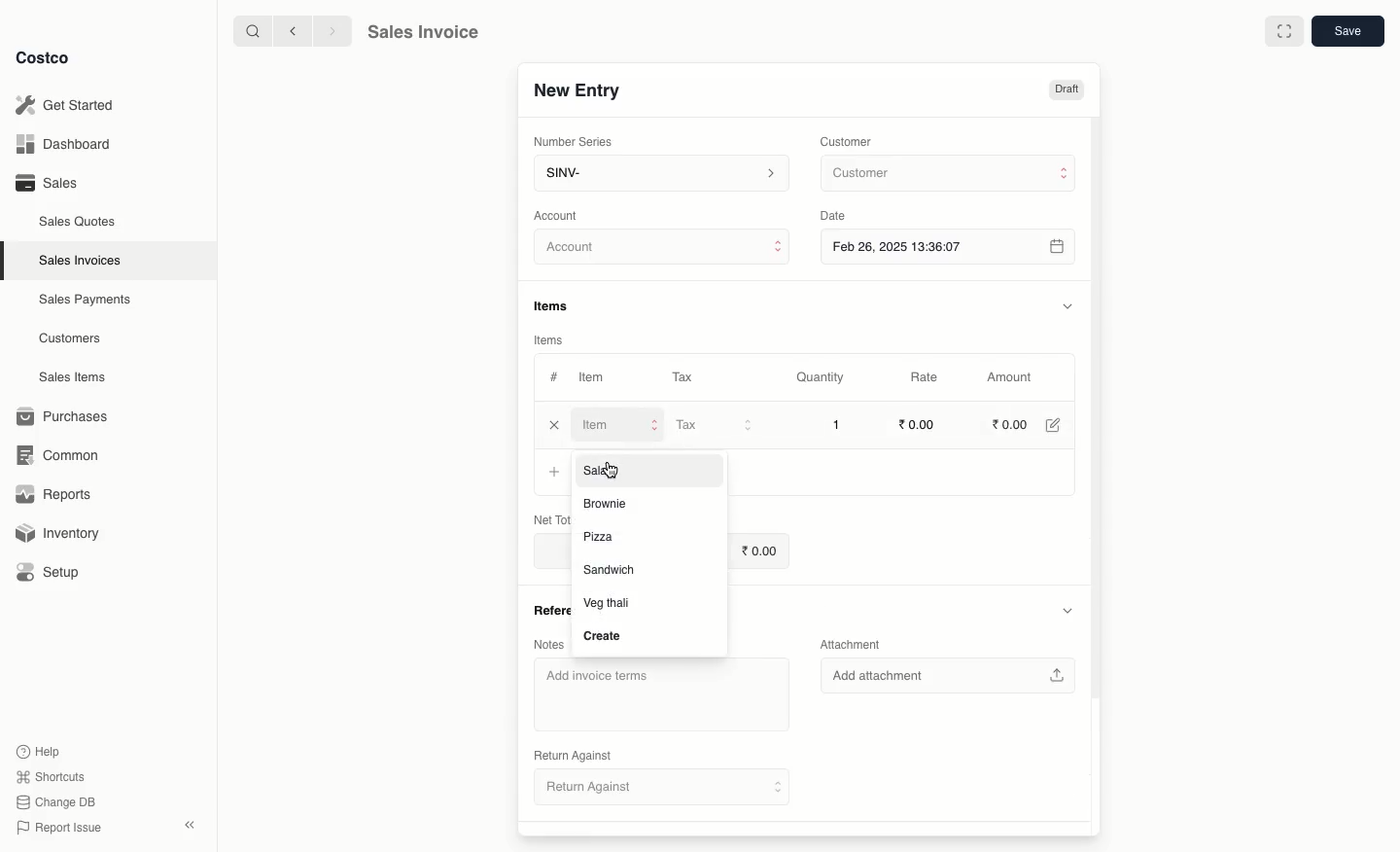 The width and height of the screenshot is (1400, 852). Describe the element at coordinates (192, 826) in the screenshot. I see `Collapse` at that location.